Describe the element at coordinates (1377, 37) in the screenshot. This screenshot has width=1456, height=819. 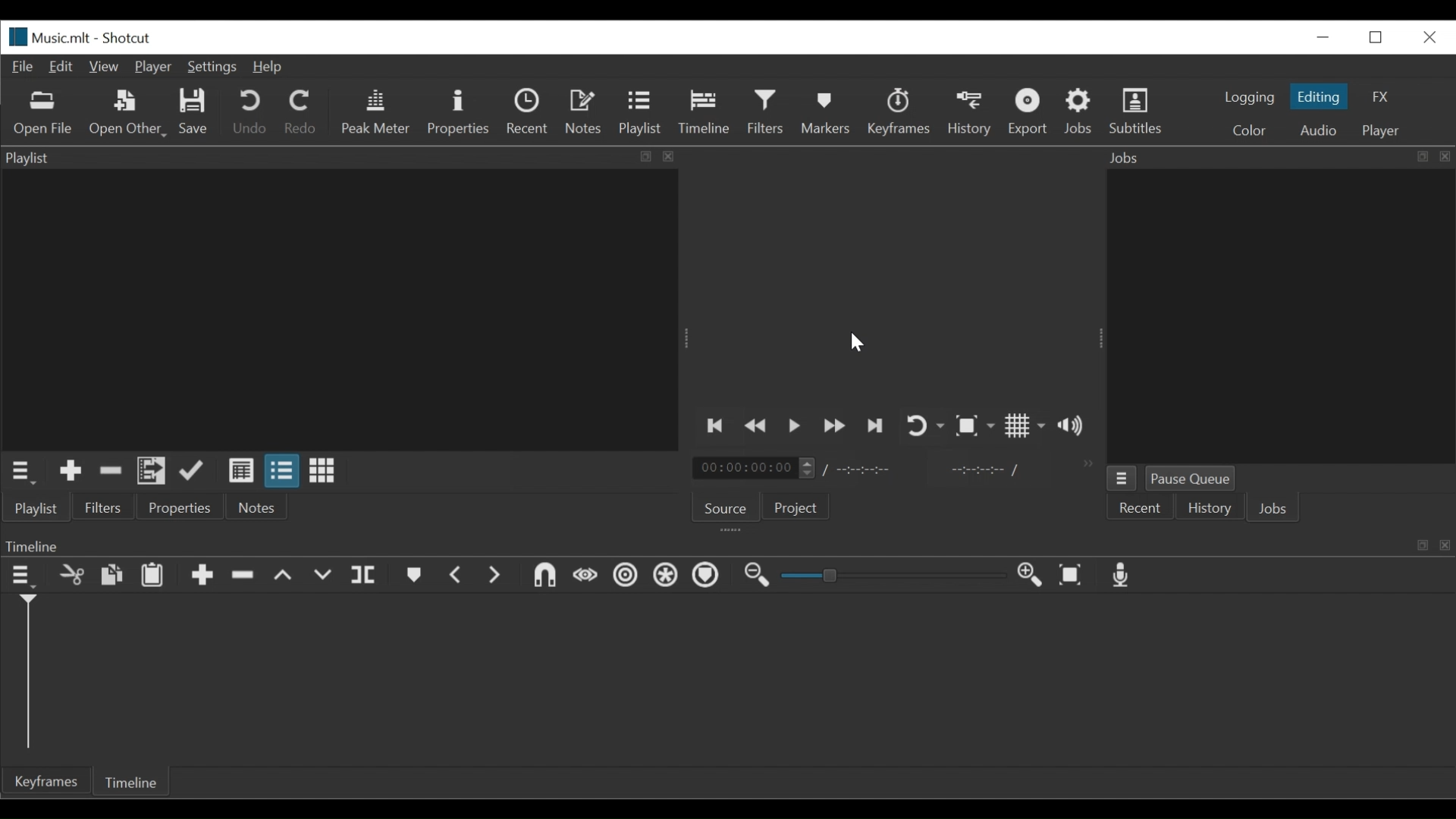
I see `Restore` at that location.